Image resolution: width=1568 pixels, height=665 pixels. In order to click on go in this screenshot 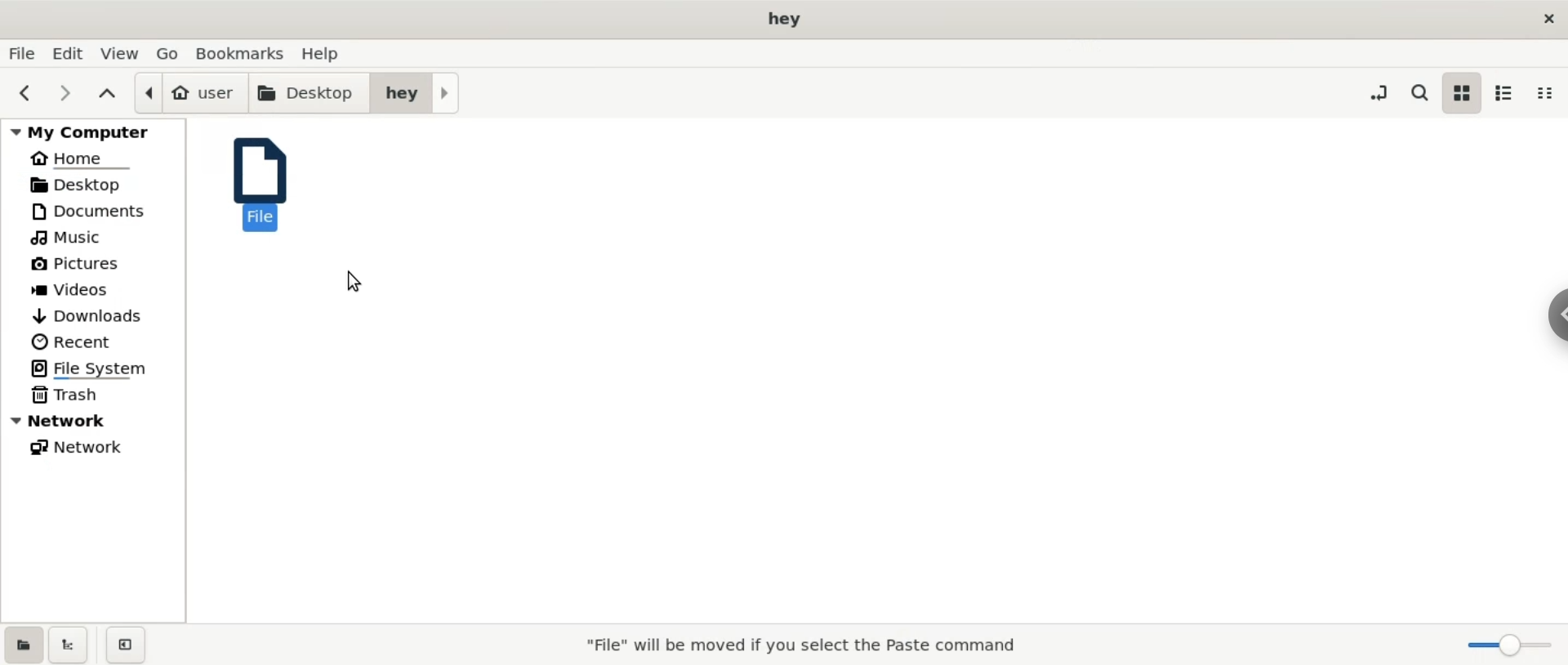, I will do `click(163, 54)`.